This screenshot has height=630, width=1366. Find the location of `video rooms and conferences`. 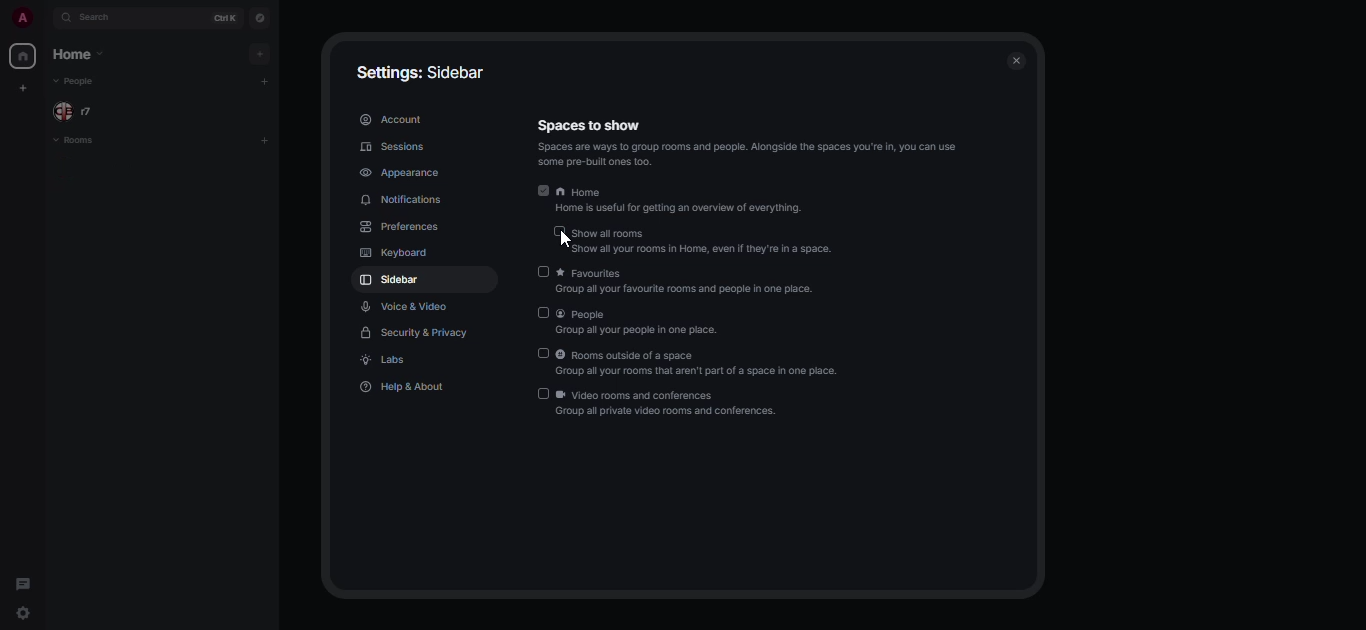

video rooms and conferences is located at coordinates (669, 405).